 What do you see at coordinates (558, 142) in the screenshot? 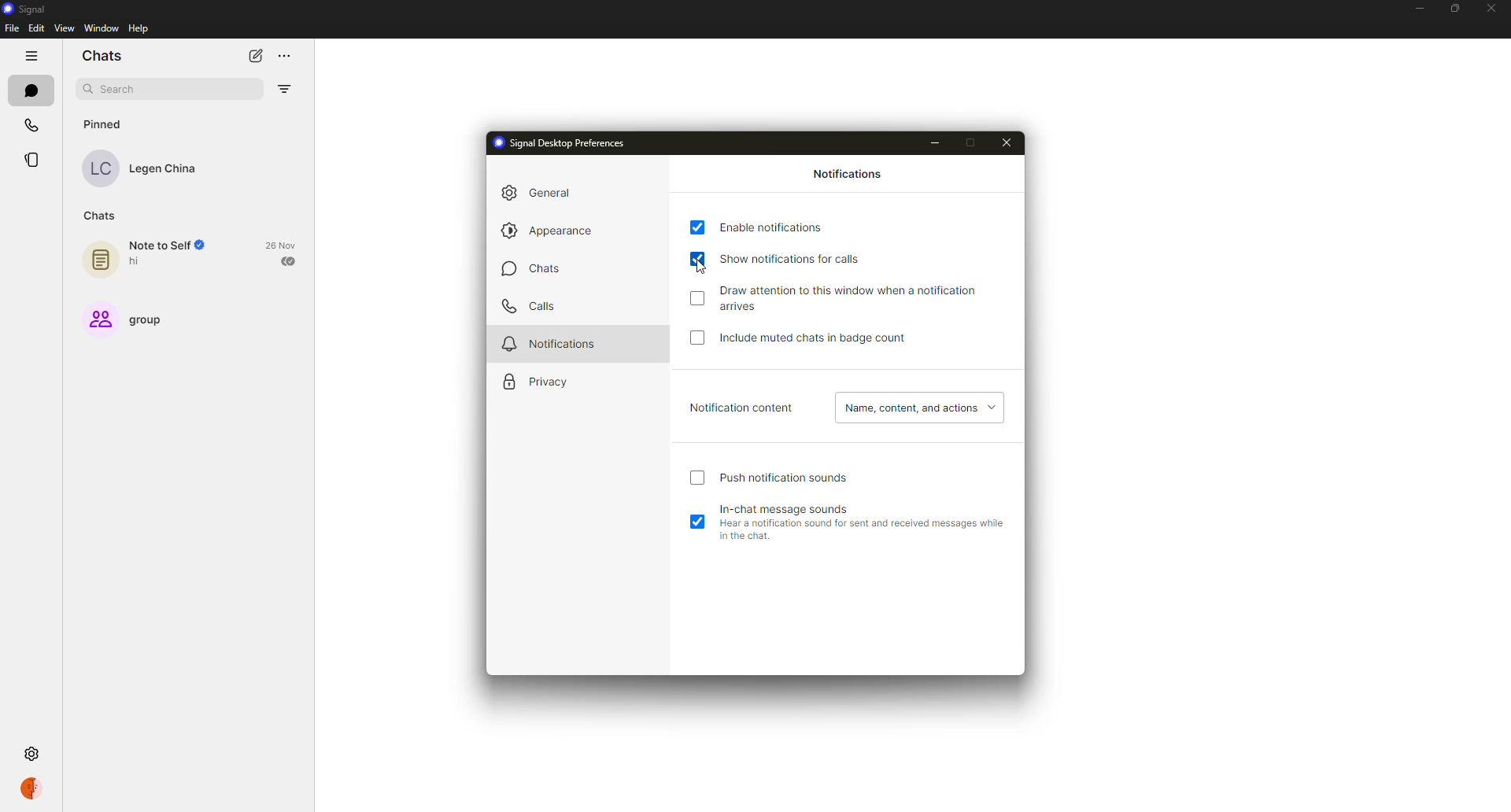
I see `signal desktop preferences` at bounding box center [558, 142].